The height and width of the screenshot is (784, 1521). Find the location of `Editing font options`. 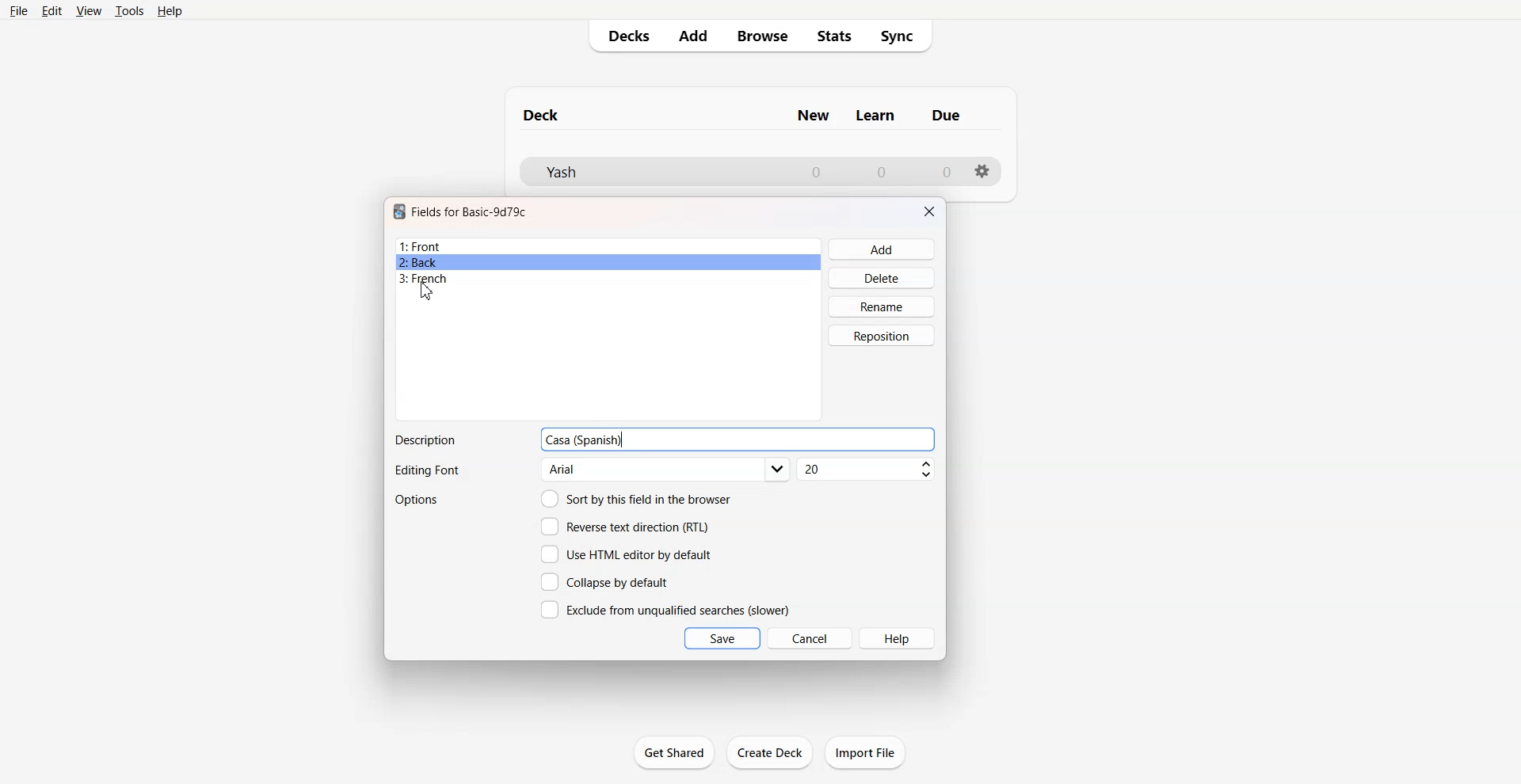

Editing font options is located at coordinates (666, 470).